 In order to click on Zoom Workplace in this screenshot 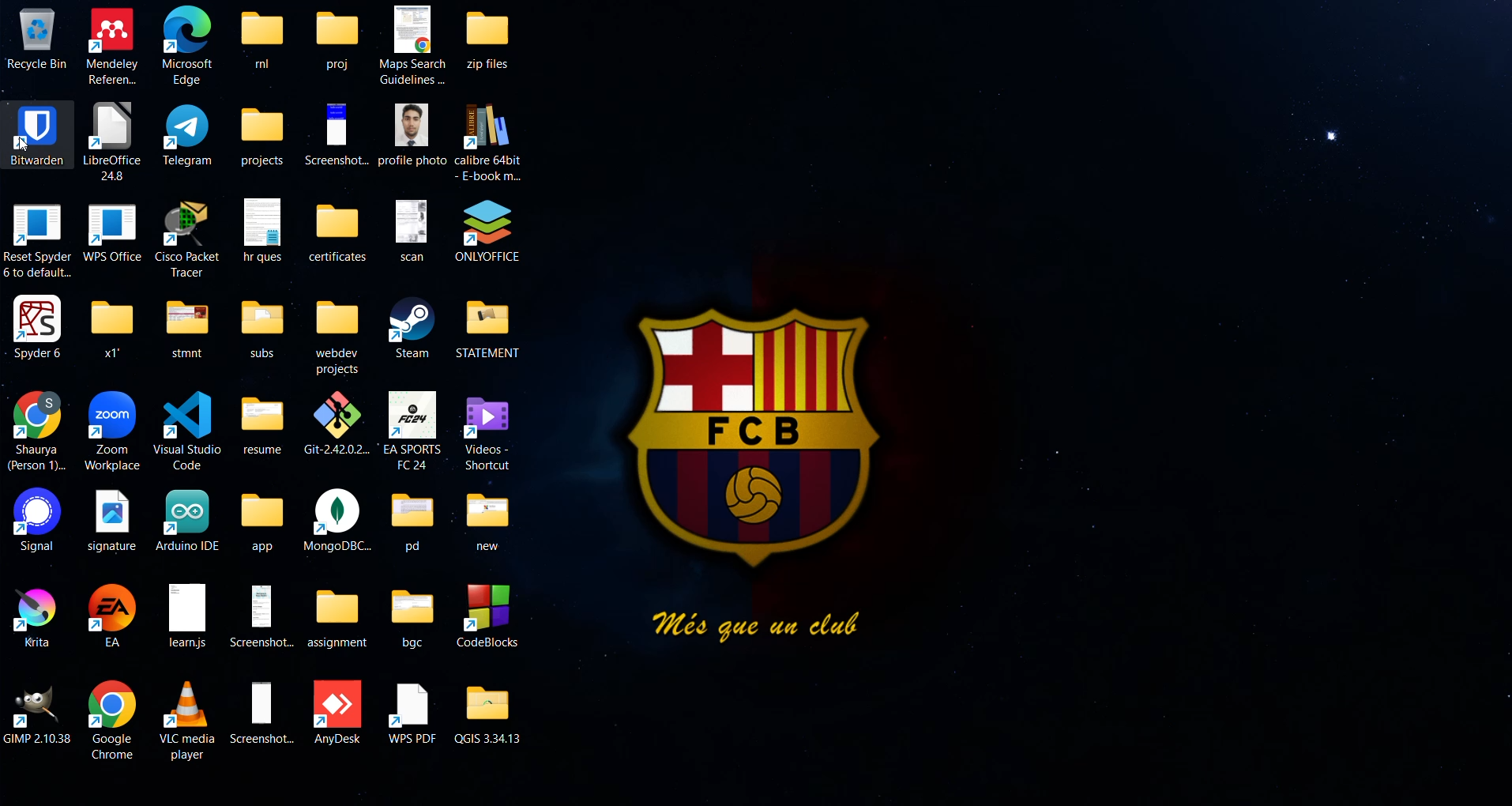, I will do `click(114, 431)`.